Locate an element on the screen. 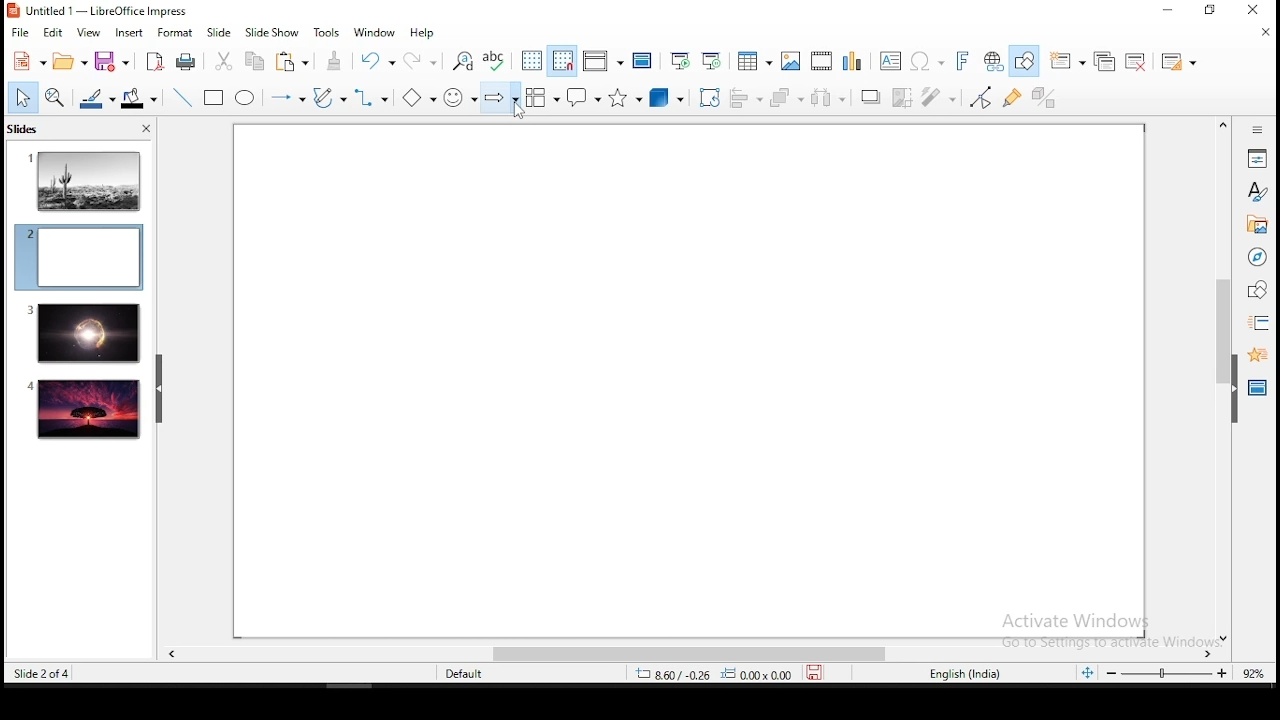  fit to screen is located at coordinates (1085, 674).